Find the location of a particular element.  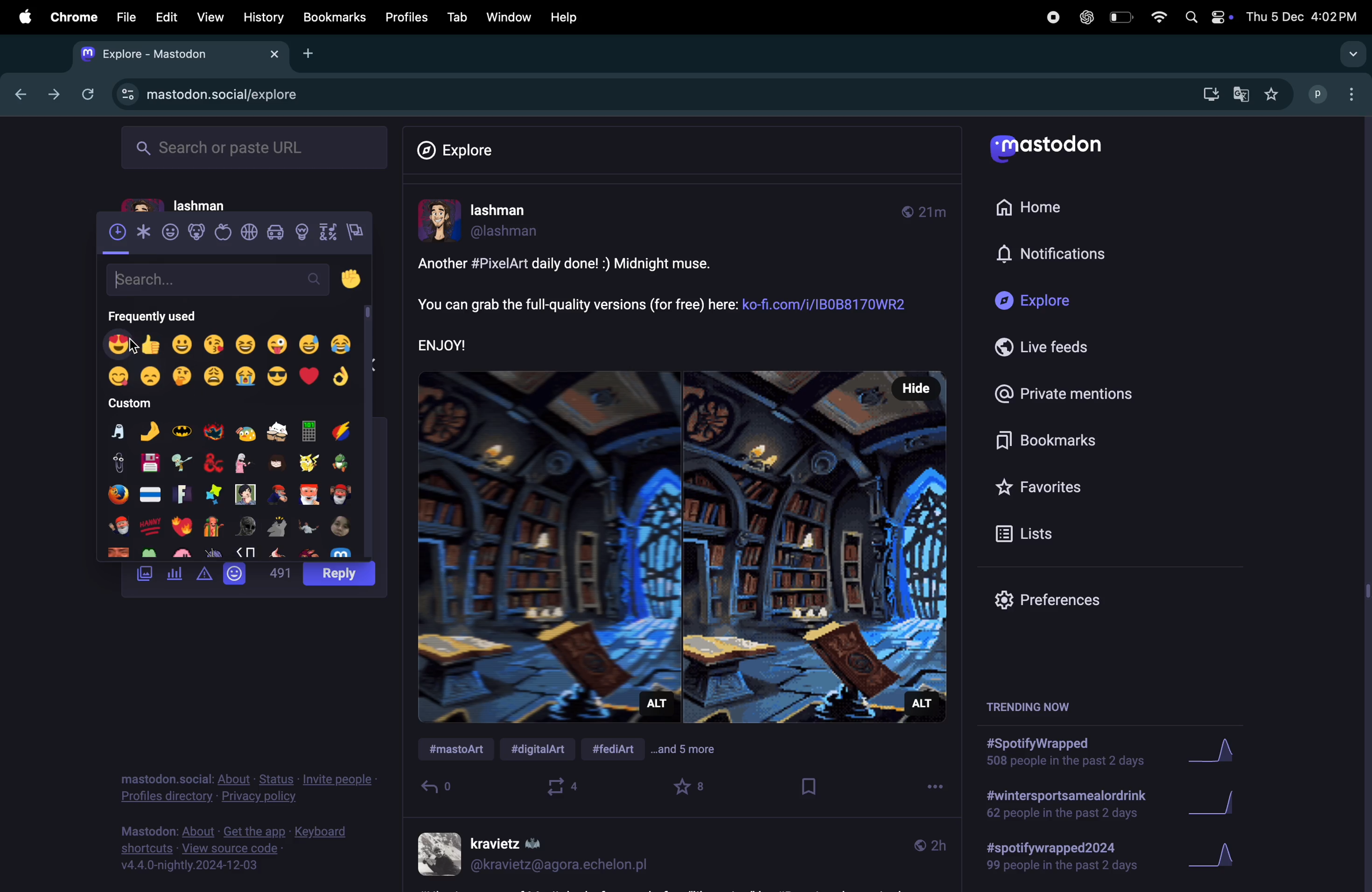

time is located at coordinates (929, 212).